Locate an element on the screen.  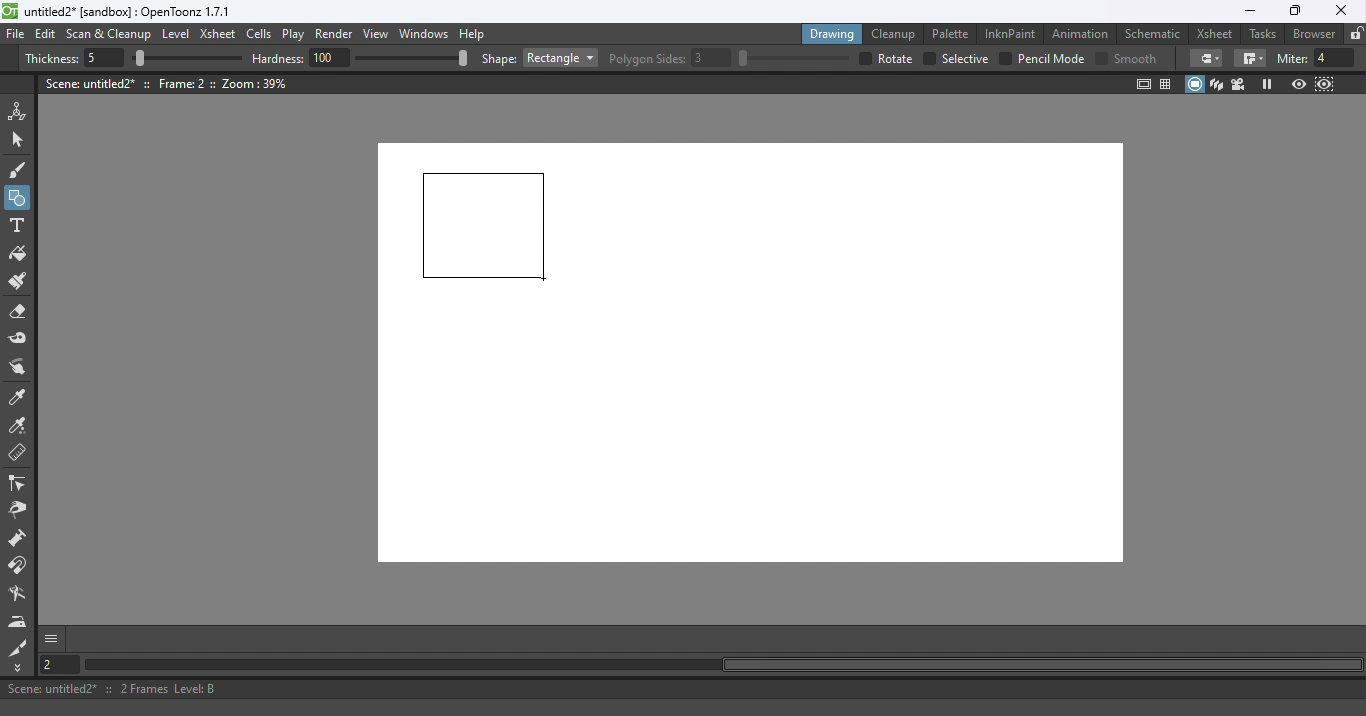
Camera stand view is located at coordinates (1196, 84).